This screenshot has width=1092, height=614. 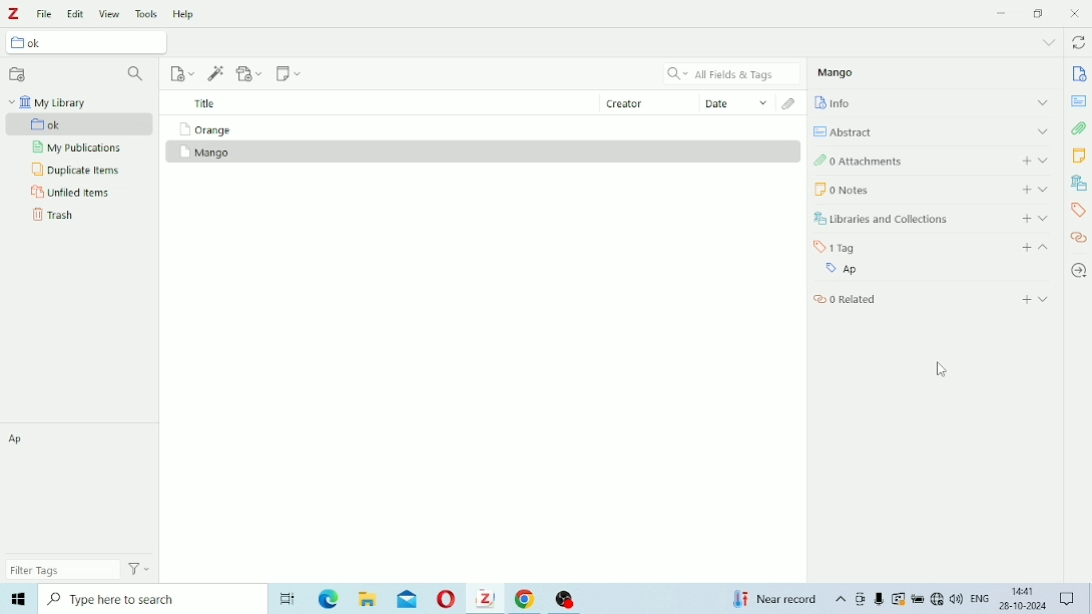 What do you see at coordinates (207, 104) in the screenshot?
I see `Title` at bounding box center [207, 104].